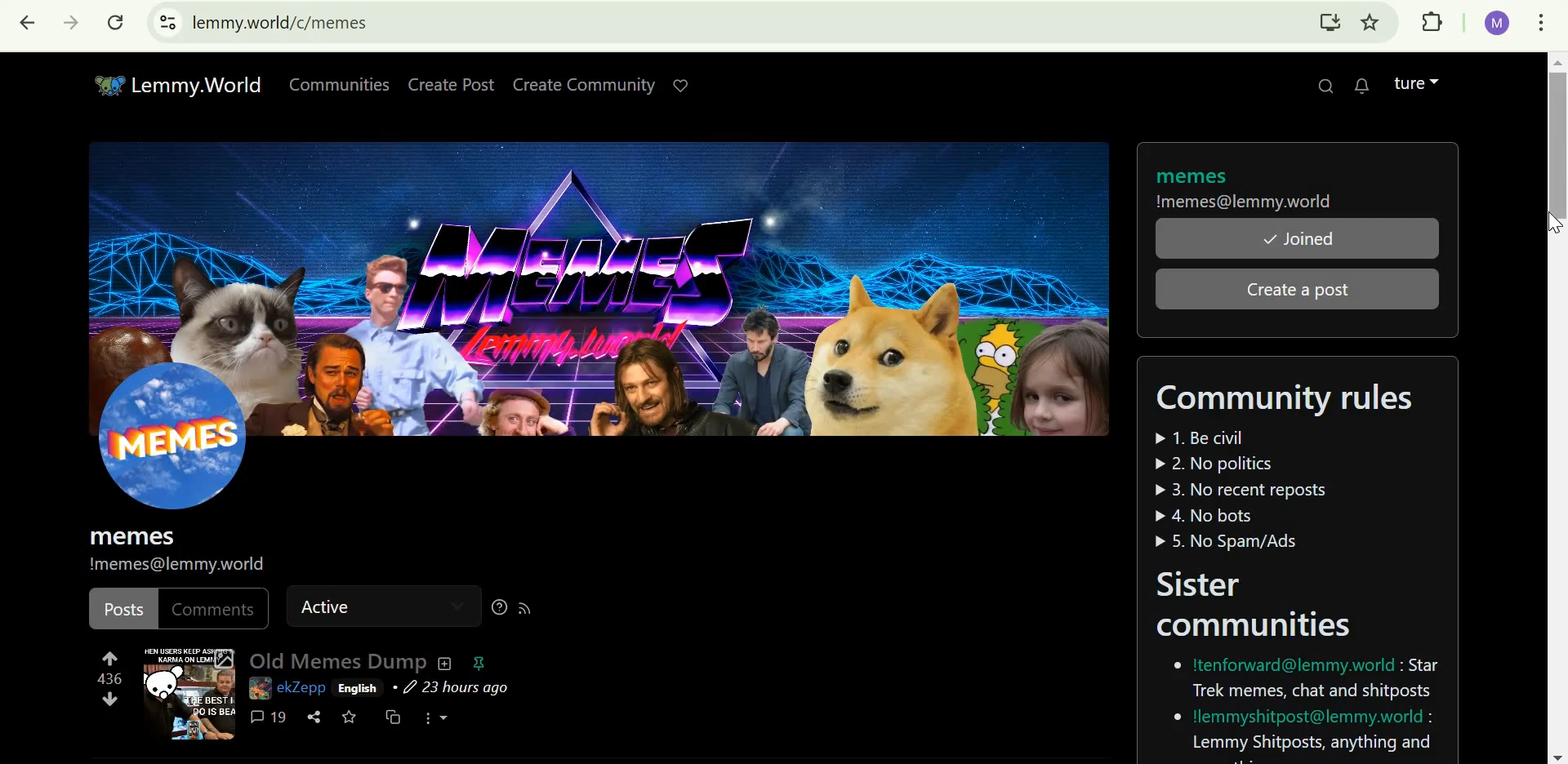 This screenshot has height=764, width=1568. What do you see at coordinates (1362, 85) in the screenshot?
I see `0 unread messages` at bounding box center [1362, 85].